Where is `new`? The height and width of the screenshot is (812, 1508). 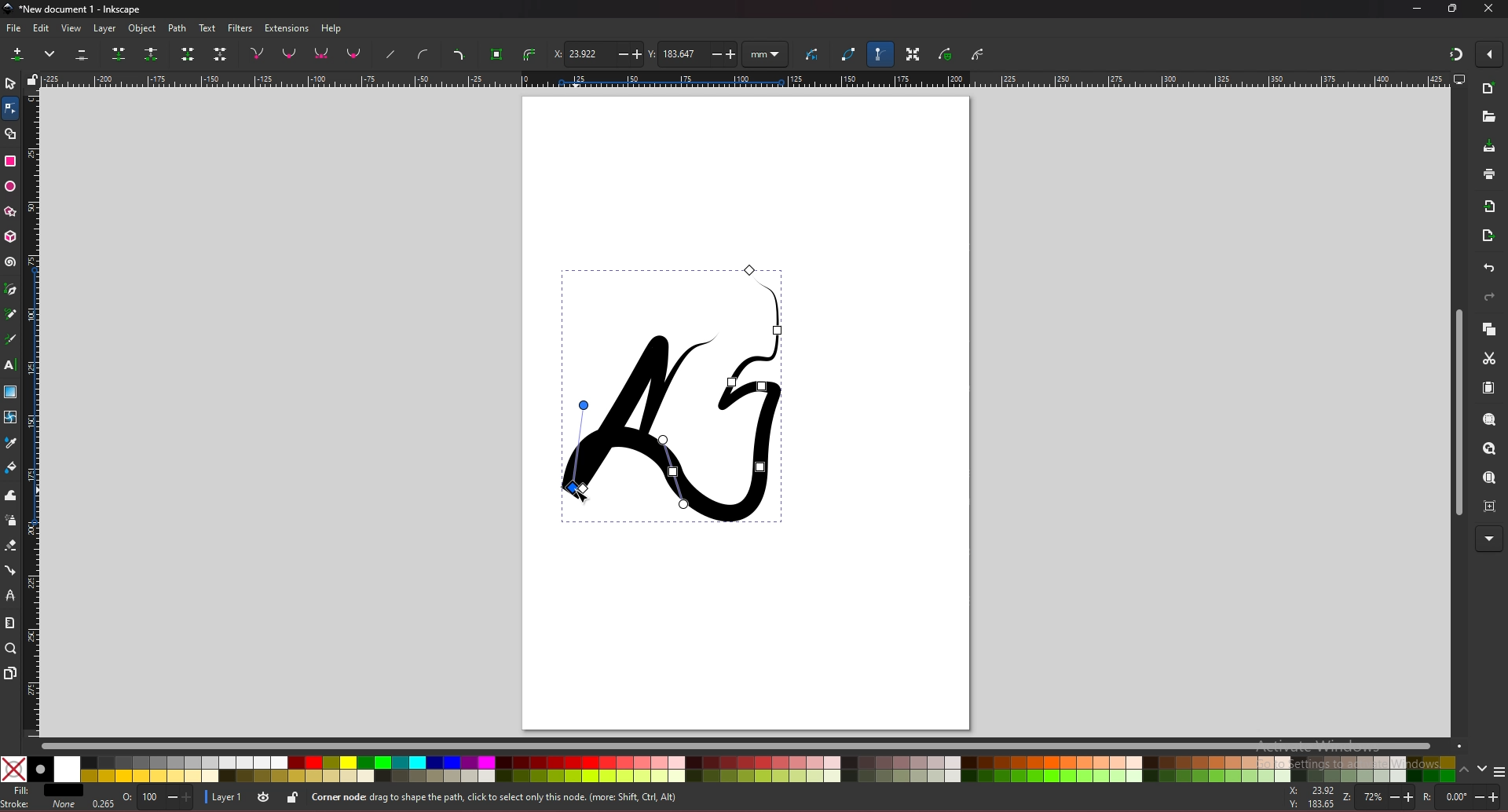
new is located at coordinates (1488, 90).